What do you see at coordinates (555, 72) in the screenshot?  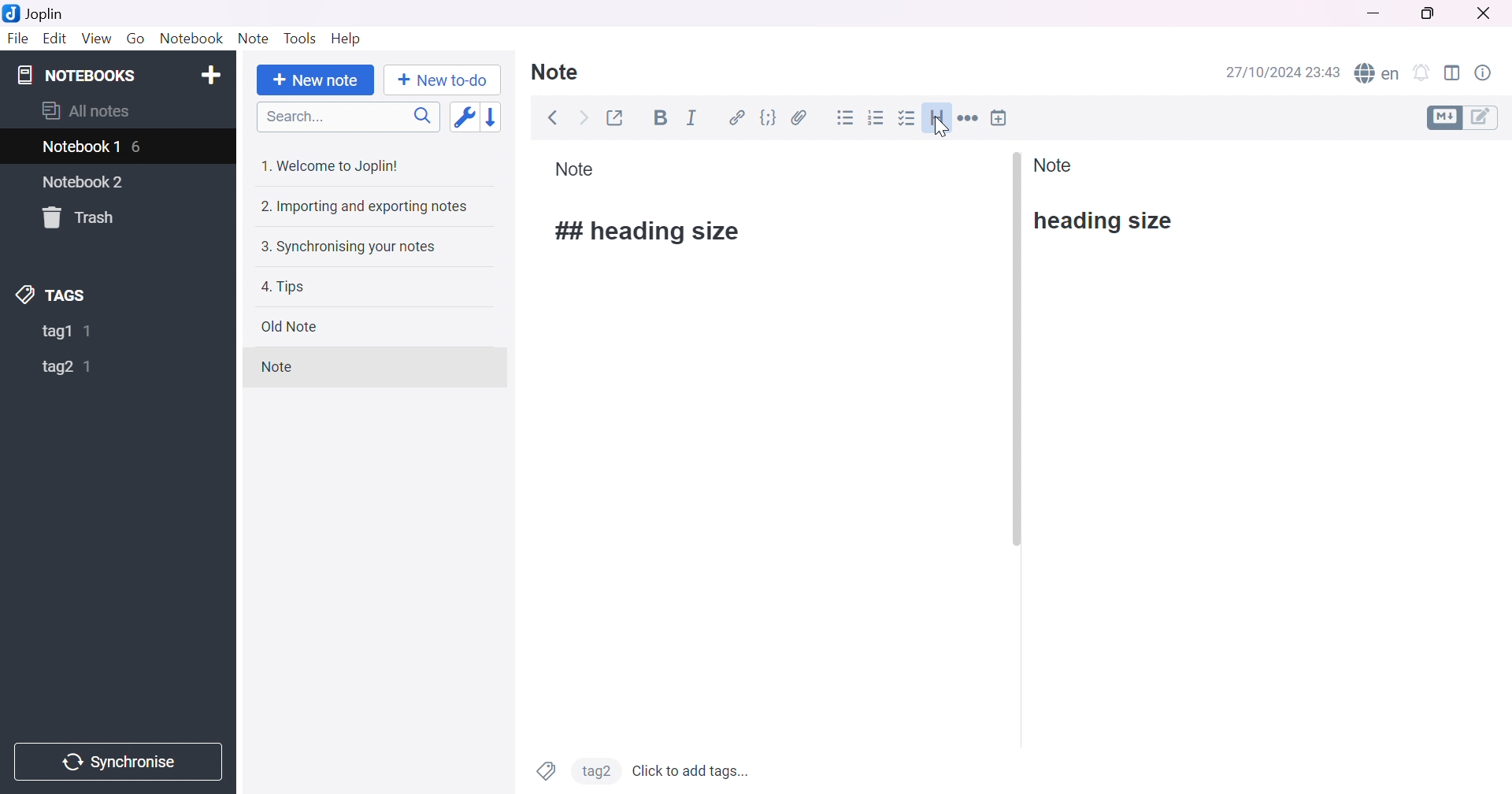 I see `Note` at bounding box center [555, 72].